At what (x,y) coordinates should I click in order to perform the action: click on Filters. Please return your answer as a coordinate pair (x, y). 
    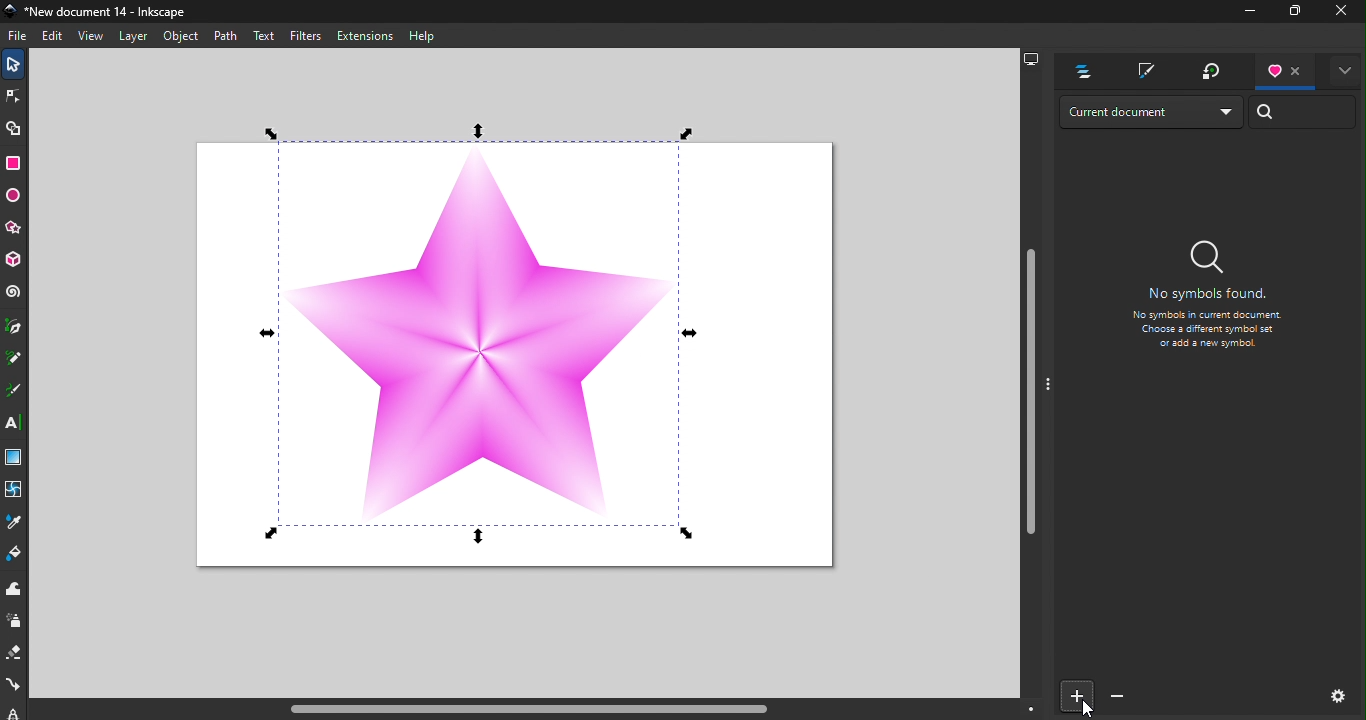
    Looking at the image, I should click on (307, 35).